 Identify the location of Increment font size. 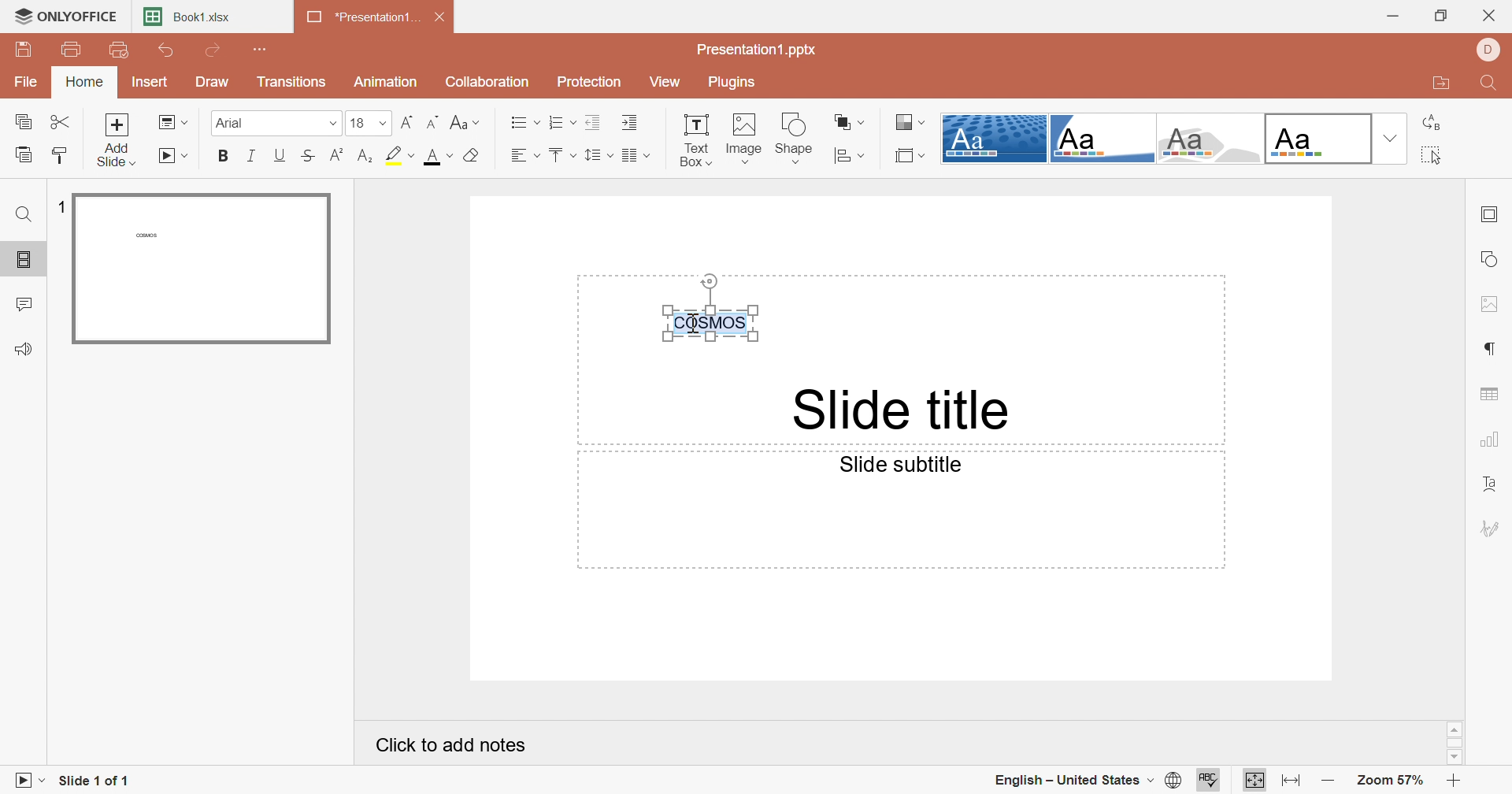
(409, 123).